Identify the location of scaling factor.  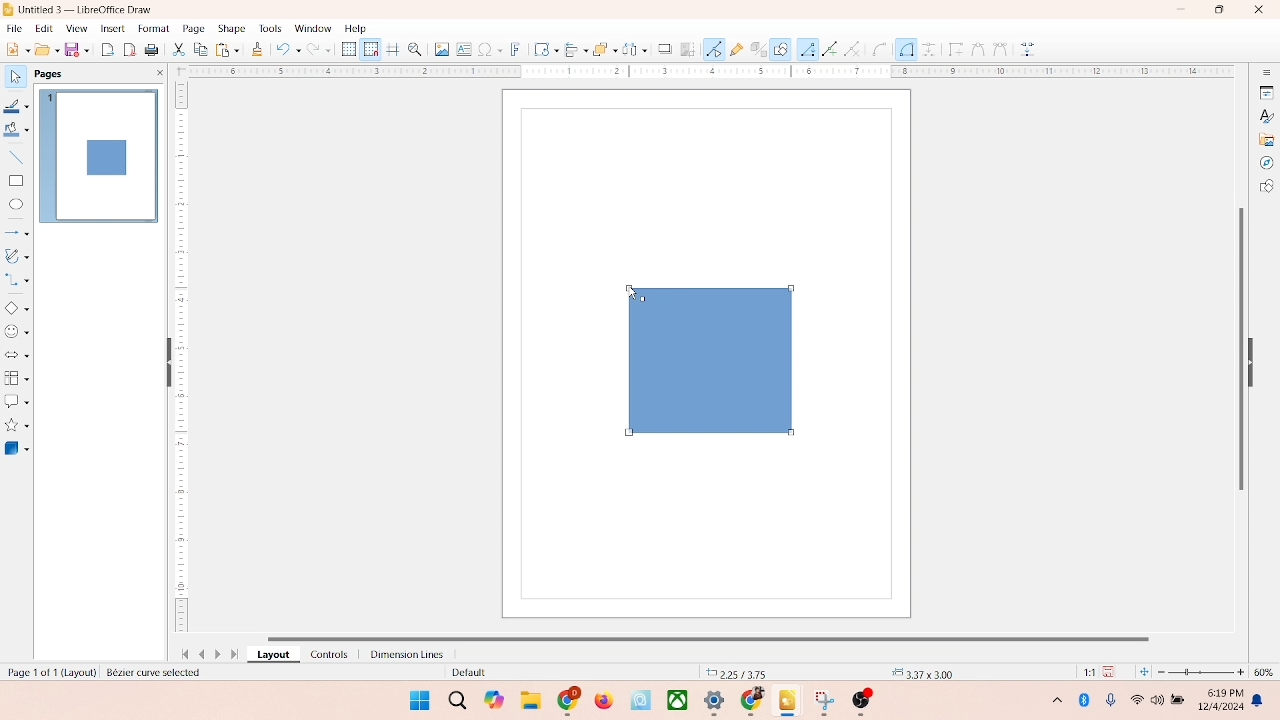
(1084, 672).